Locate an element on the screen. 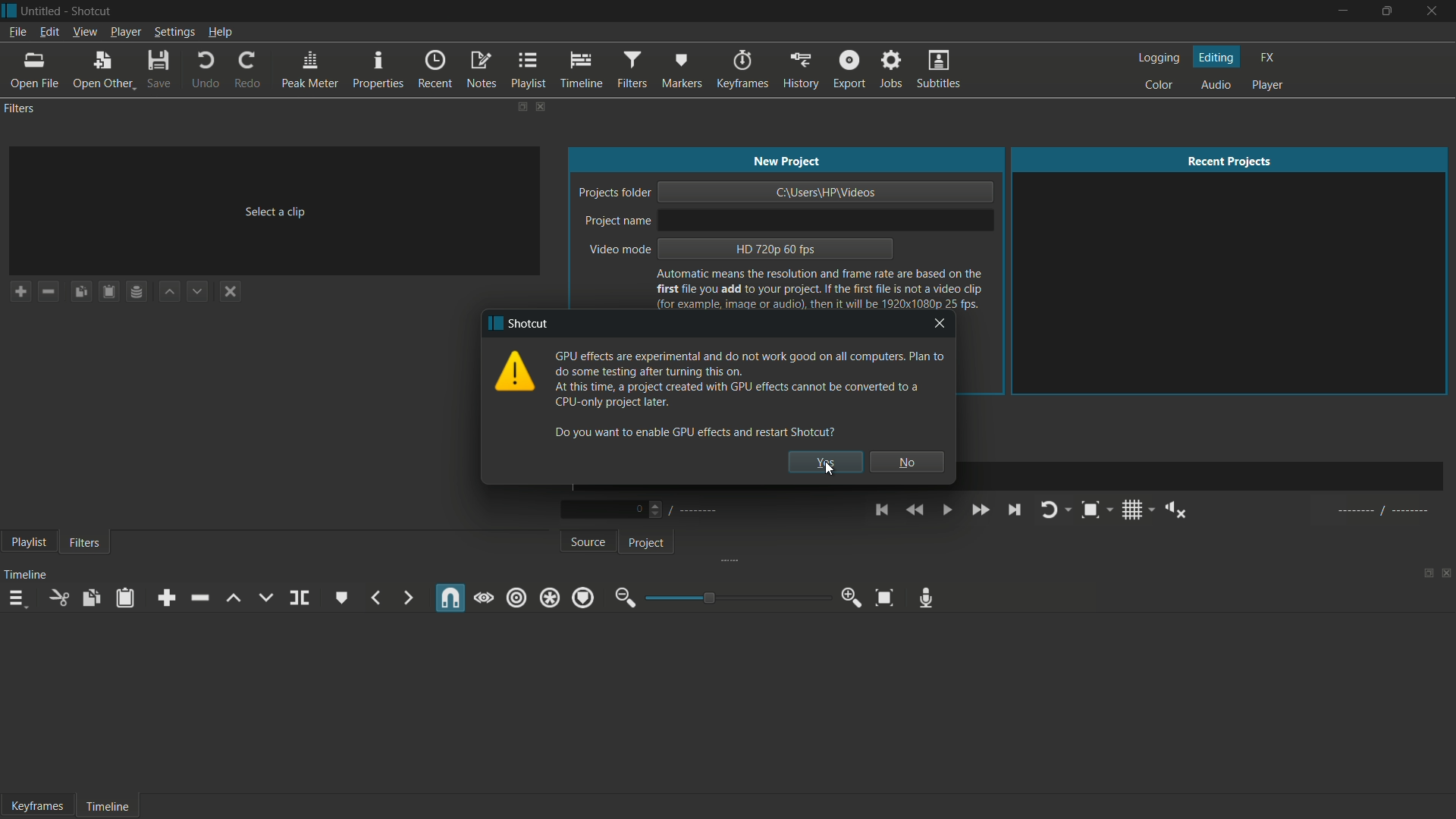 This screenshot has height=819, width=1456. open file is located at coordinates (34, 71).